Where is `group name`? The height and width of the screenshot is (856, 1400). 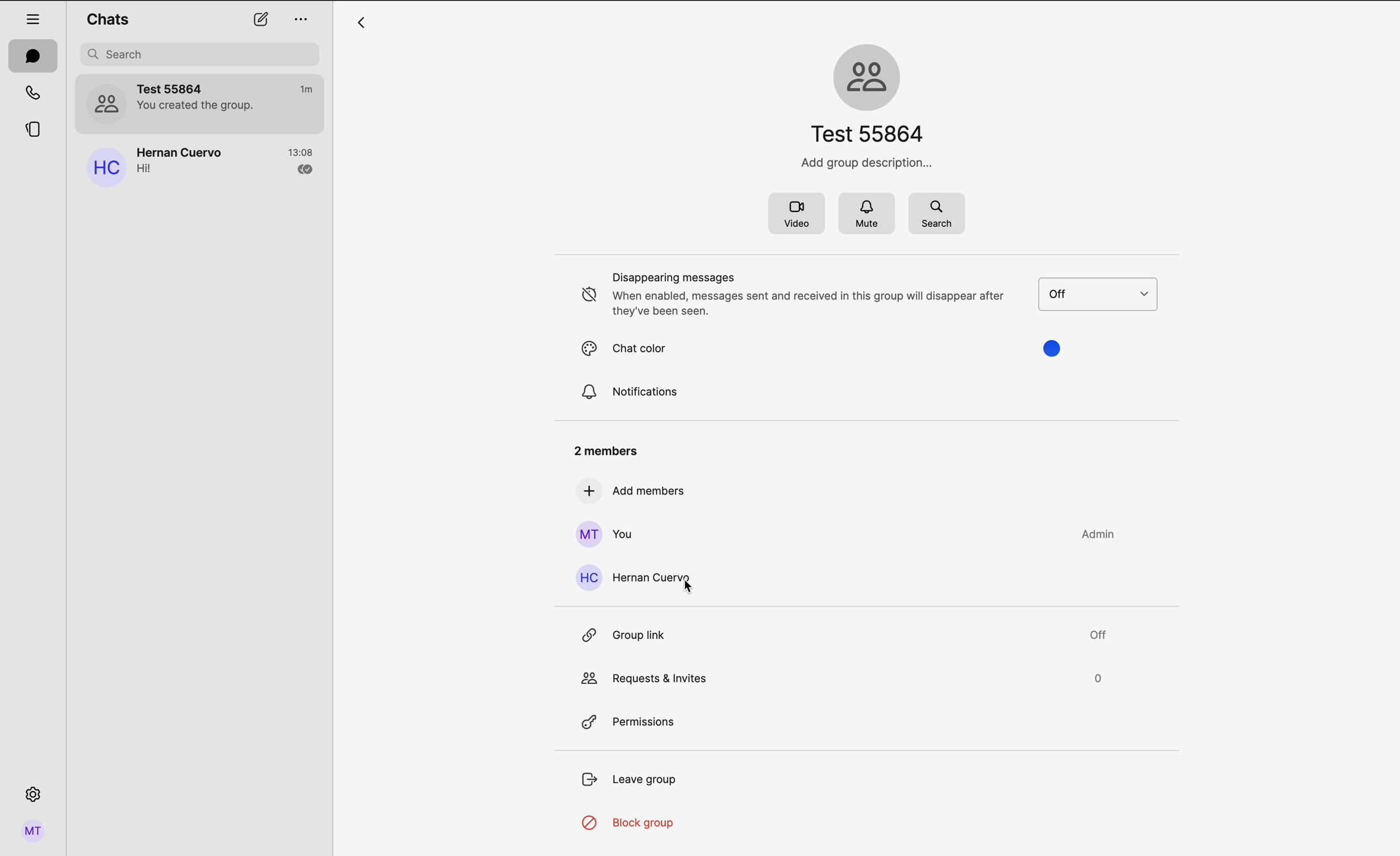 group name is located at coordinates (866, 105).